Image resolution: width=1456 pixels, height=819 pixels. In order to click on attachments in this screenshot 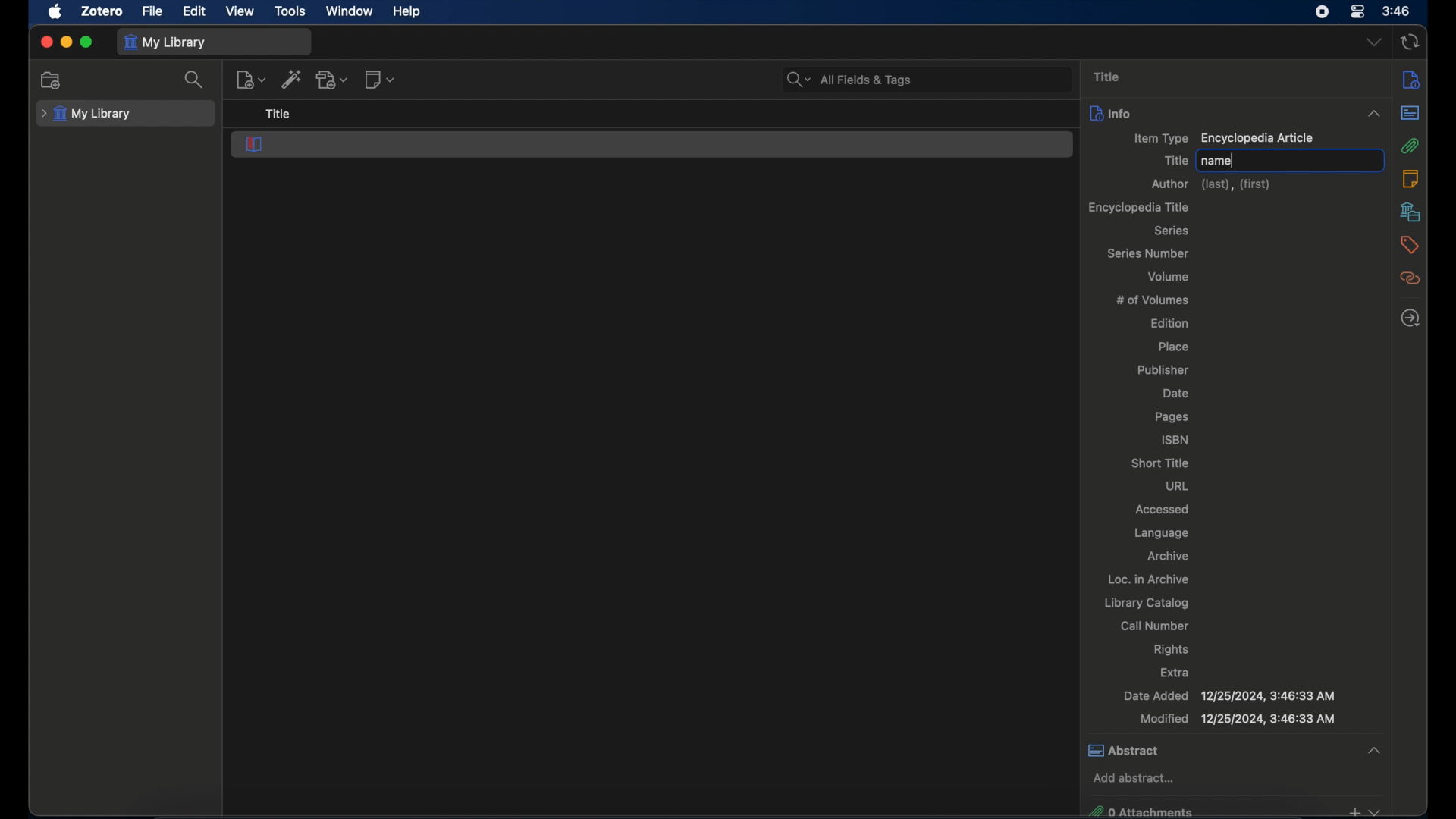, I will do `click(1410, 146)`.